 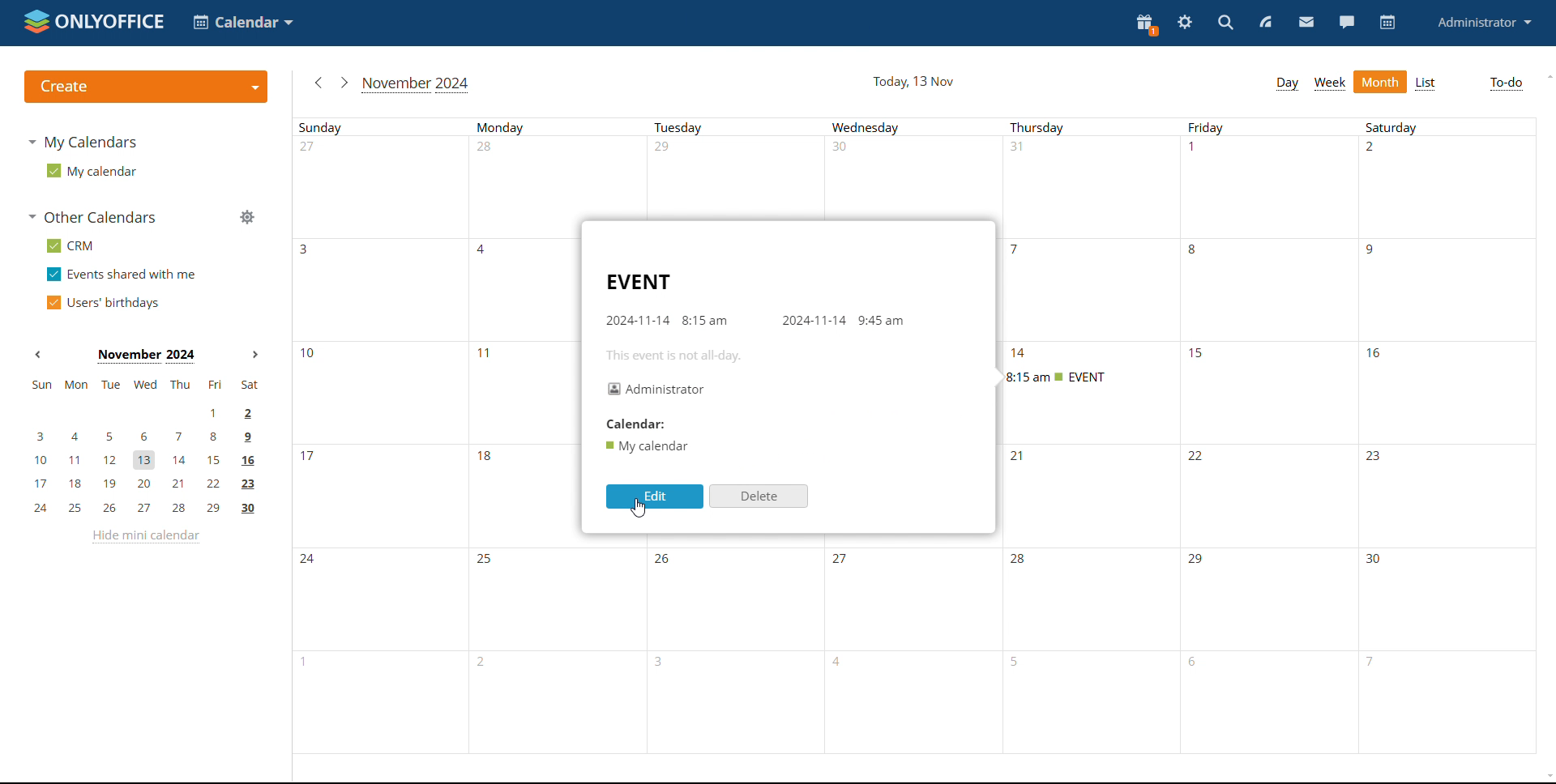 I want to click on users' birthdays, so click(x=101, y=302).